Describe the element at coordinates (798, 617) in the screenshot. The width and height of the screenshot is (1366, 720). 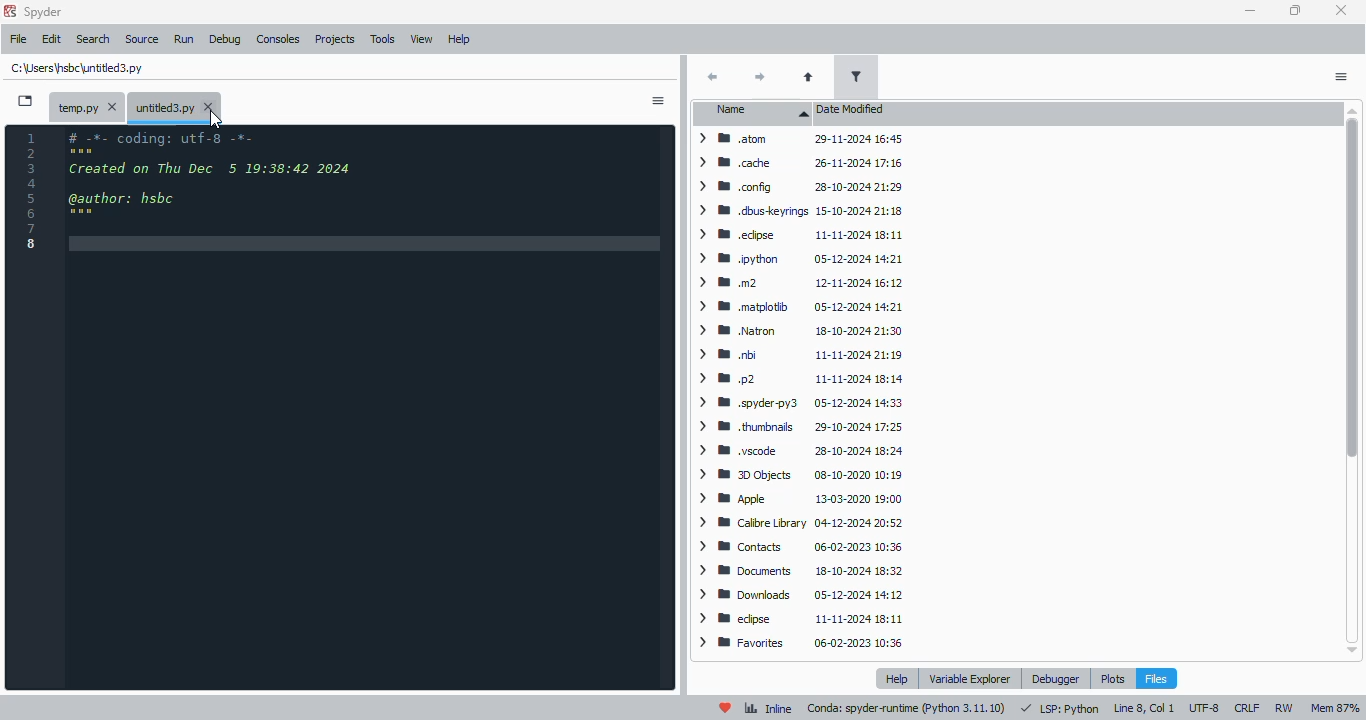
I see `> BB edipse 11-11-2024 18:11` at that location.